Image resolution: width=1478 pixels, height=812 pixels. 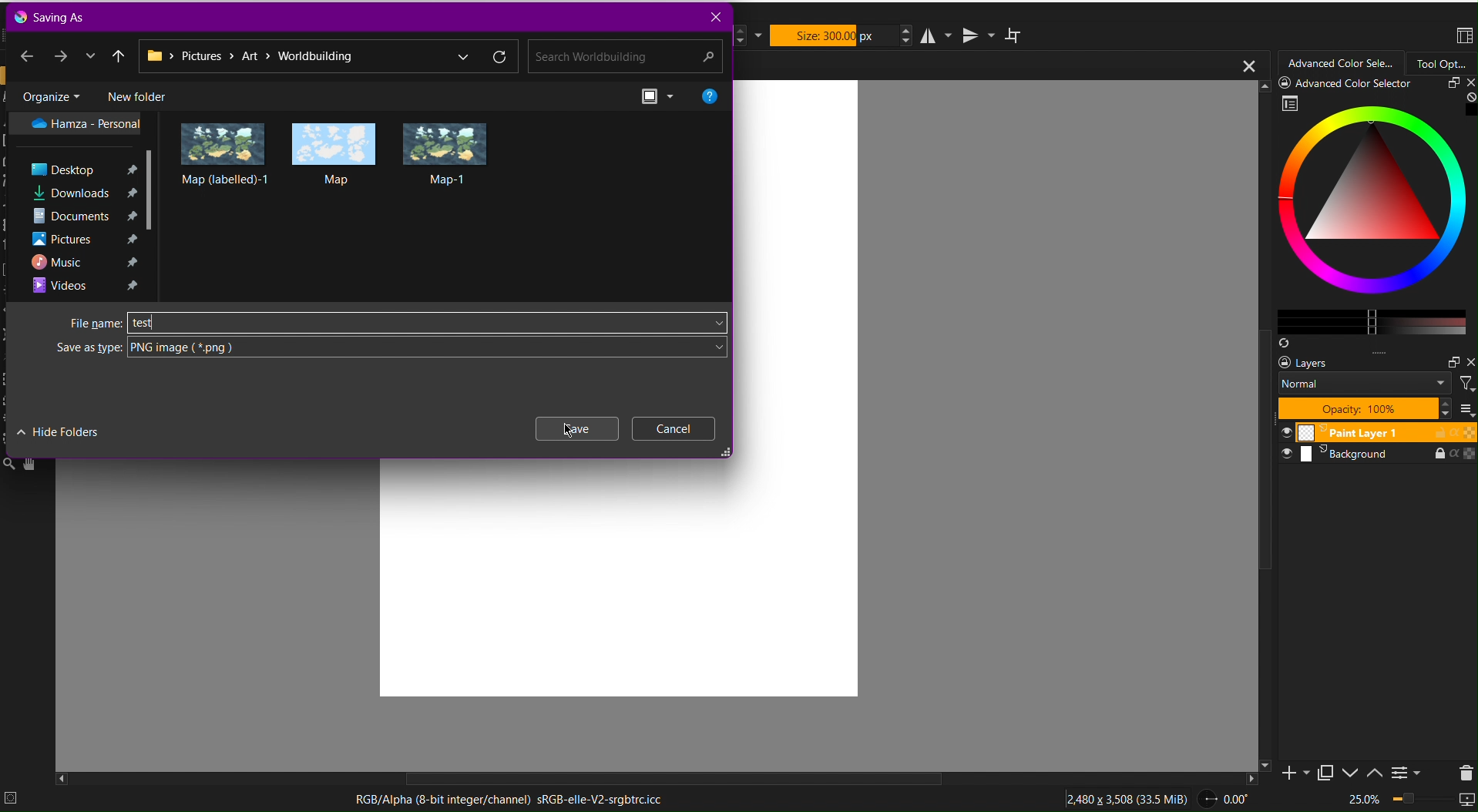 I want to click on Advanced Color Selector, so click(x=1342, y=64).